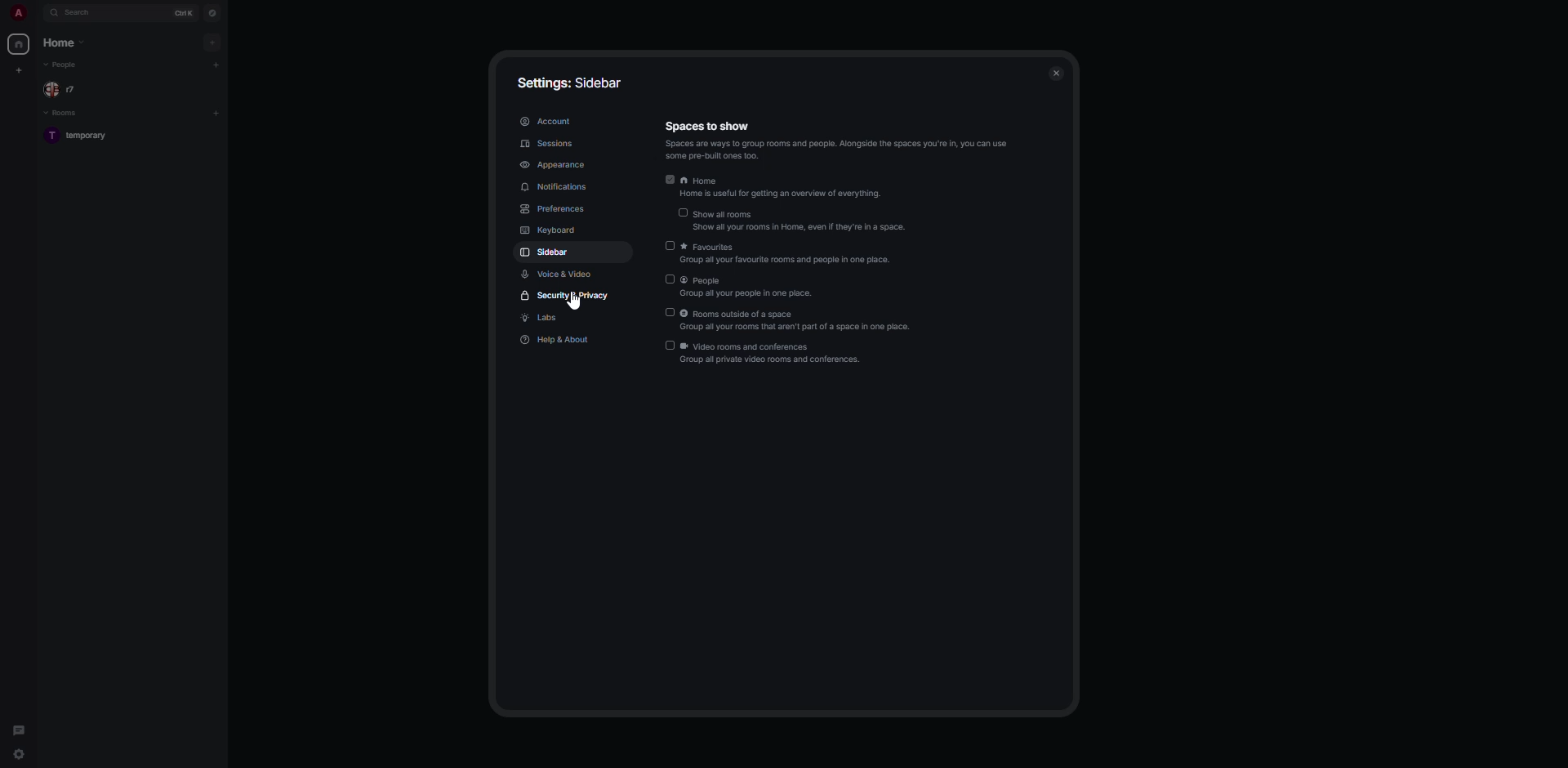 The image size is (1568, 768). I want to click on sidebar, so click(547, 252).